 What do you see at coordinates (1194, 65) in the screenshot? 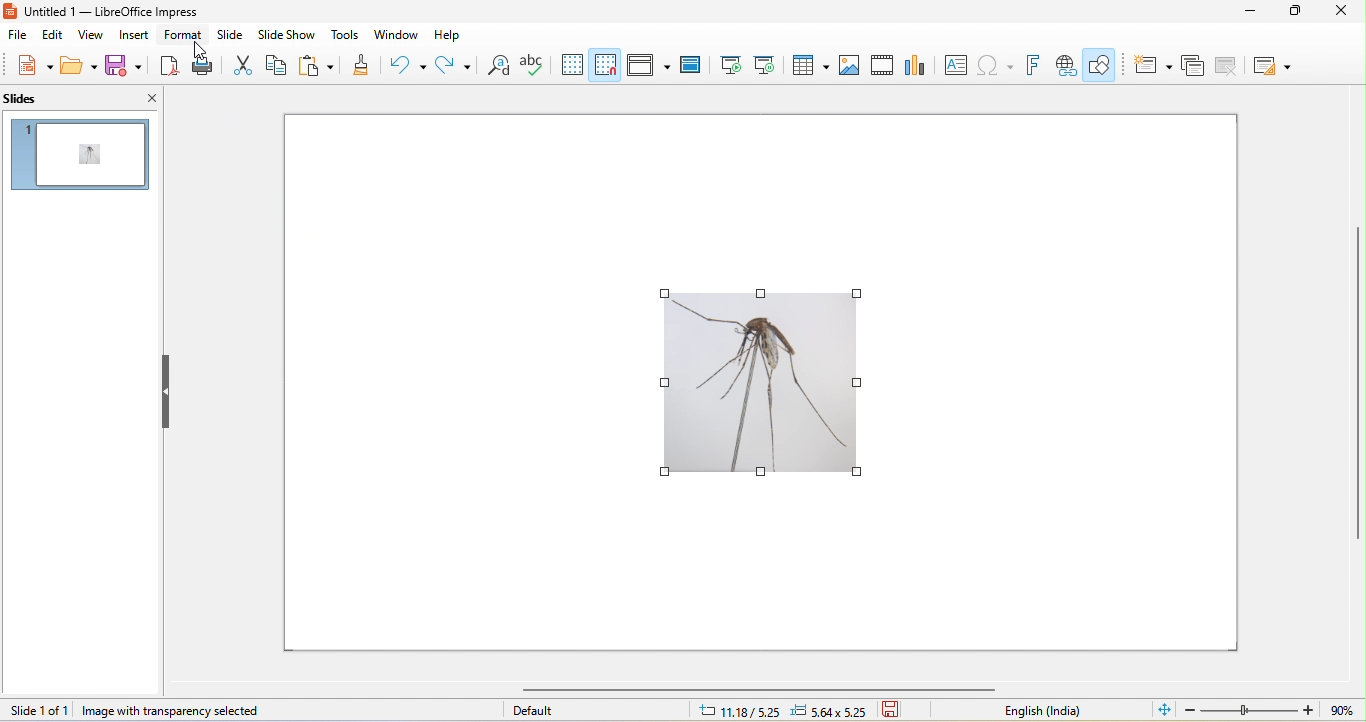
I see `duplicate` at bounding box center [1194, 65].